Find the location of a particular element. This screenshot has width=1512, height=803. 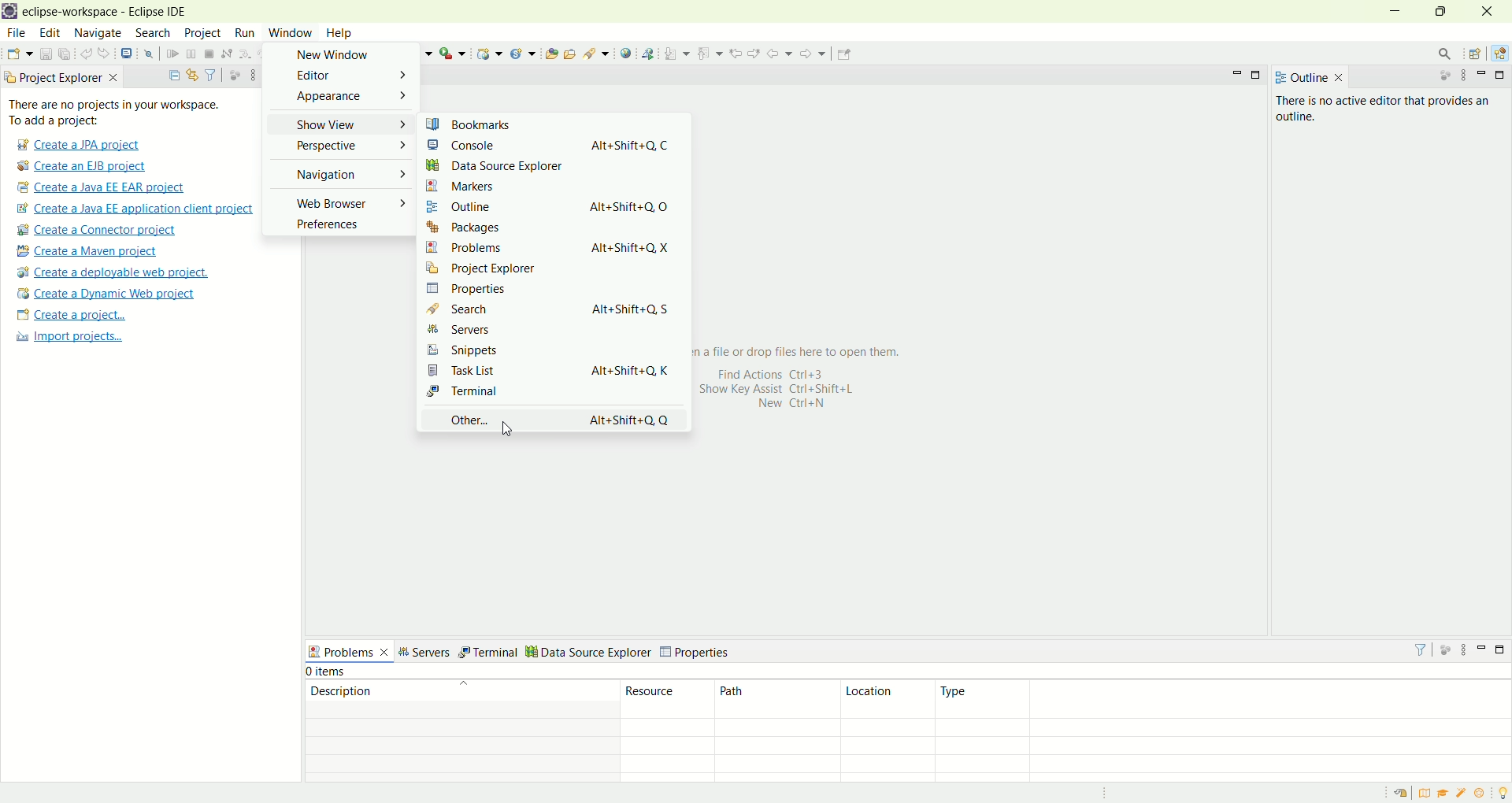

there is no active editor that provides an outline is located at coordinates (1389, 106).